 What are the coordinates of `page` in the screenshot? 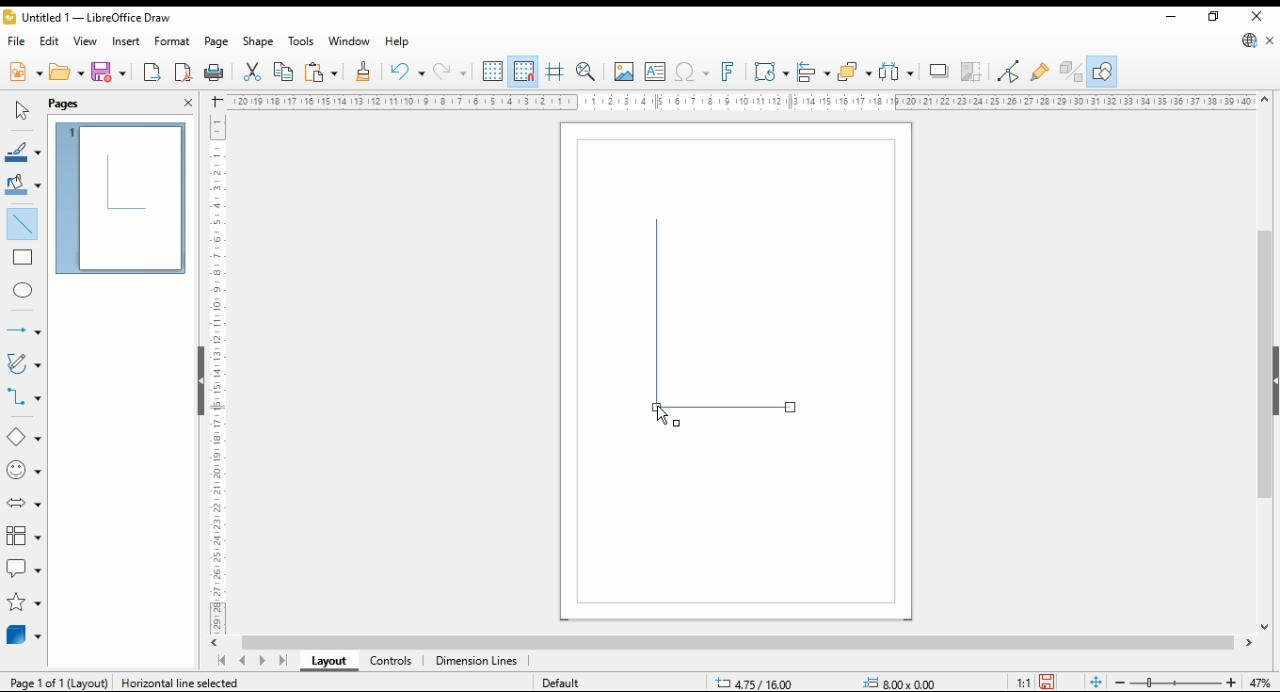 It's located at (218, 42).